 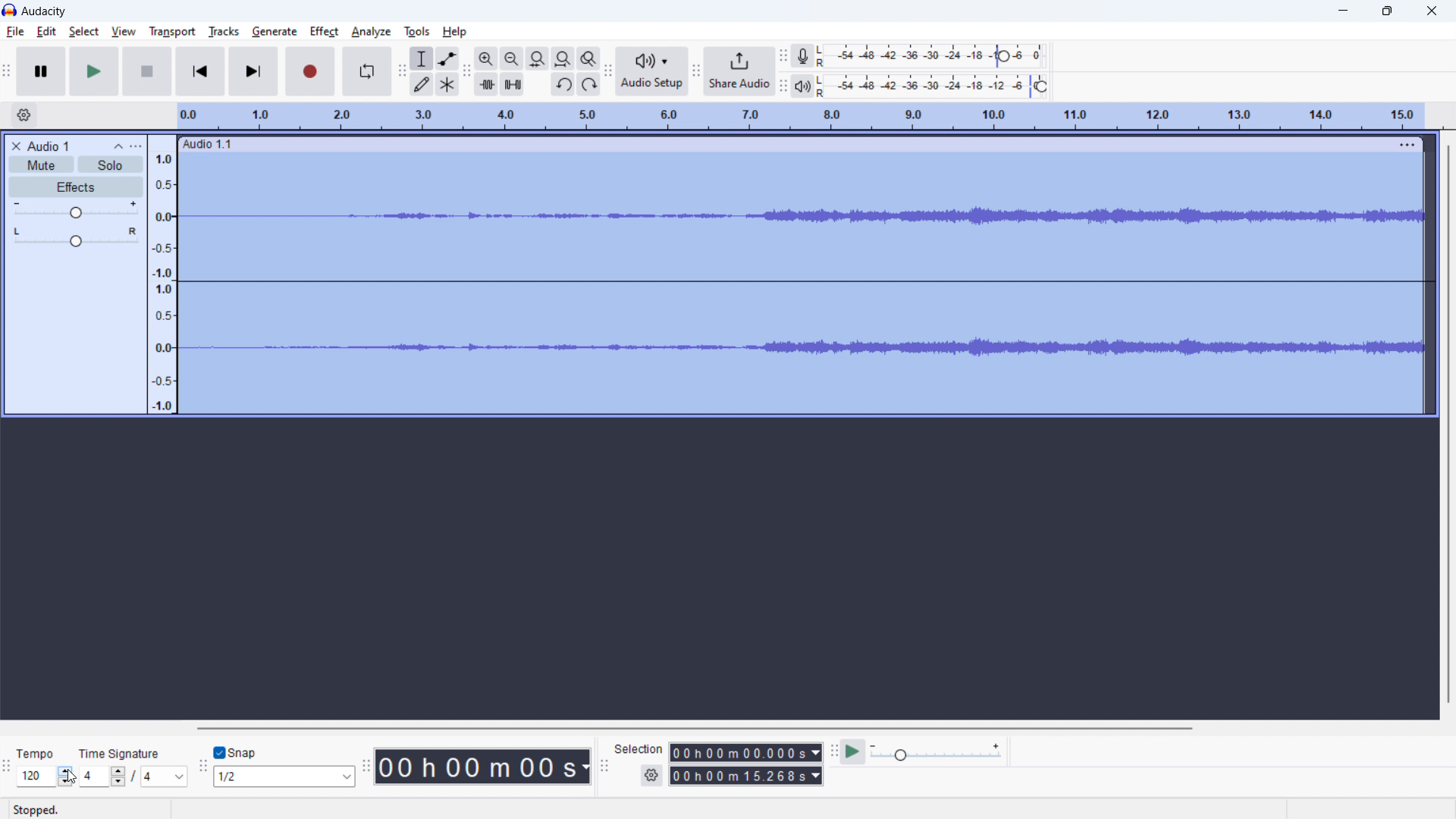 What do you see at coordinates (274, 32) in the screenshot?
I see `geberate` at bounding box center [274, 32].